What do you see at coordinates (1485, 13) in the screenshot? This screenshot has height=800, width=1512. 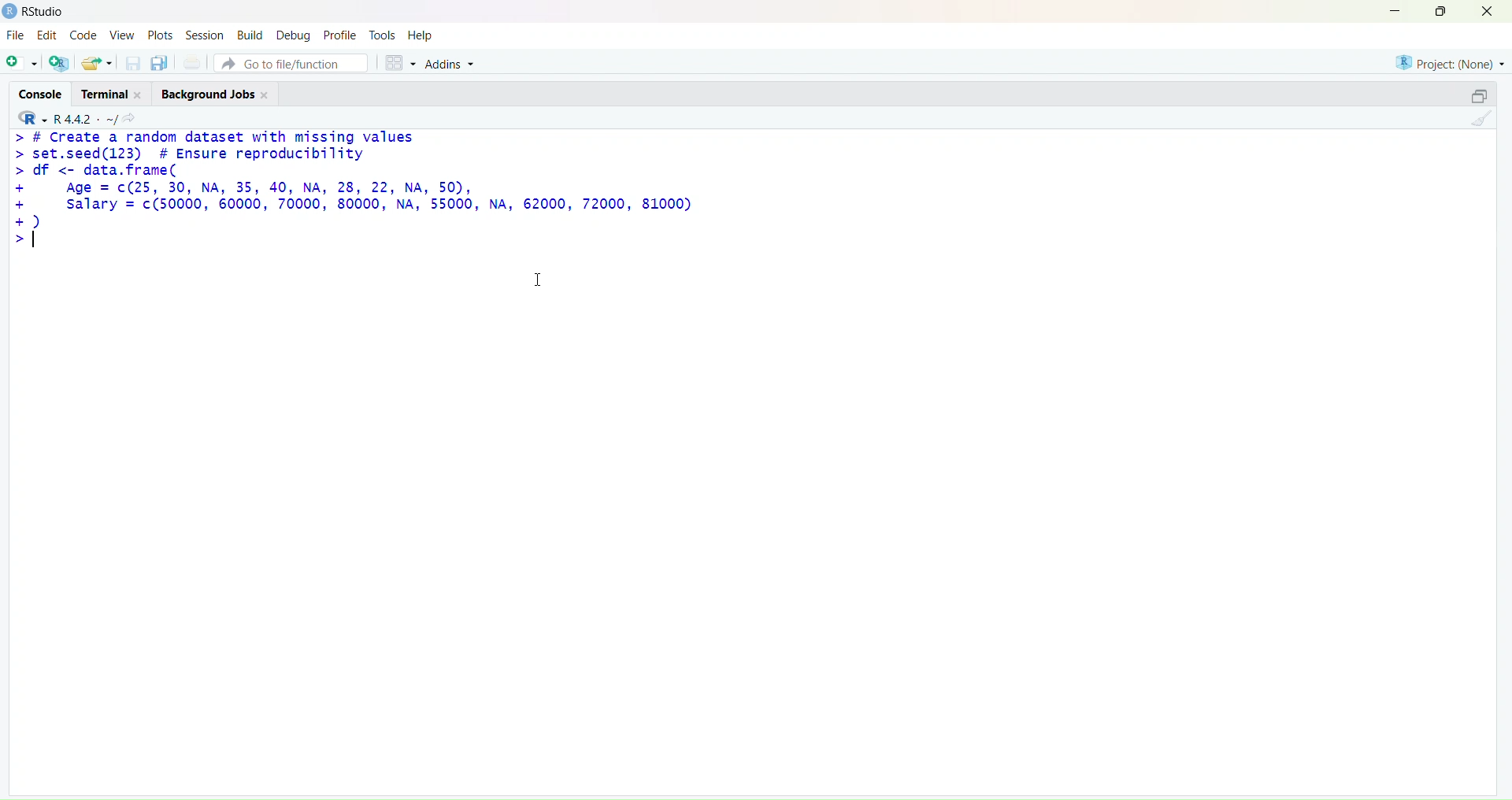 I see `close` at bounding box center [1485, 13].